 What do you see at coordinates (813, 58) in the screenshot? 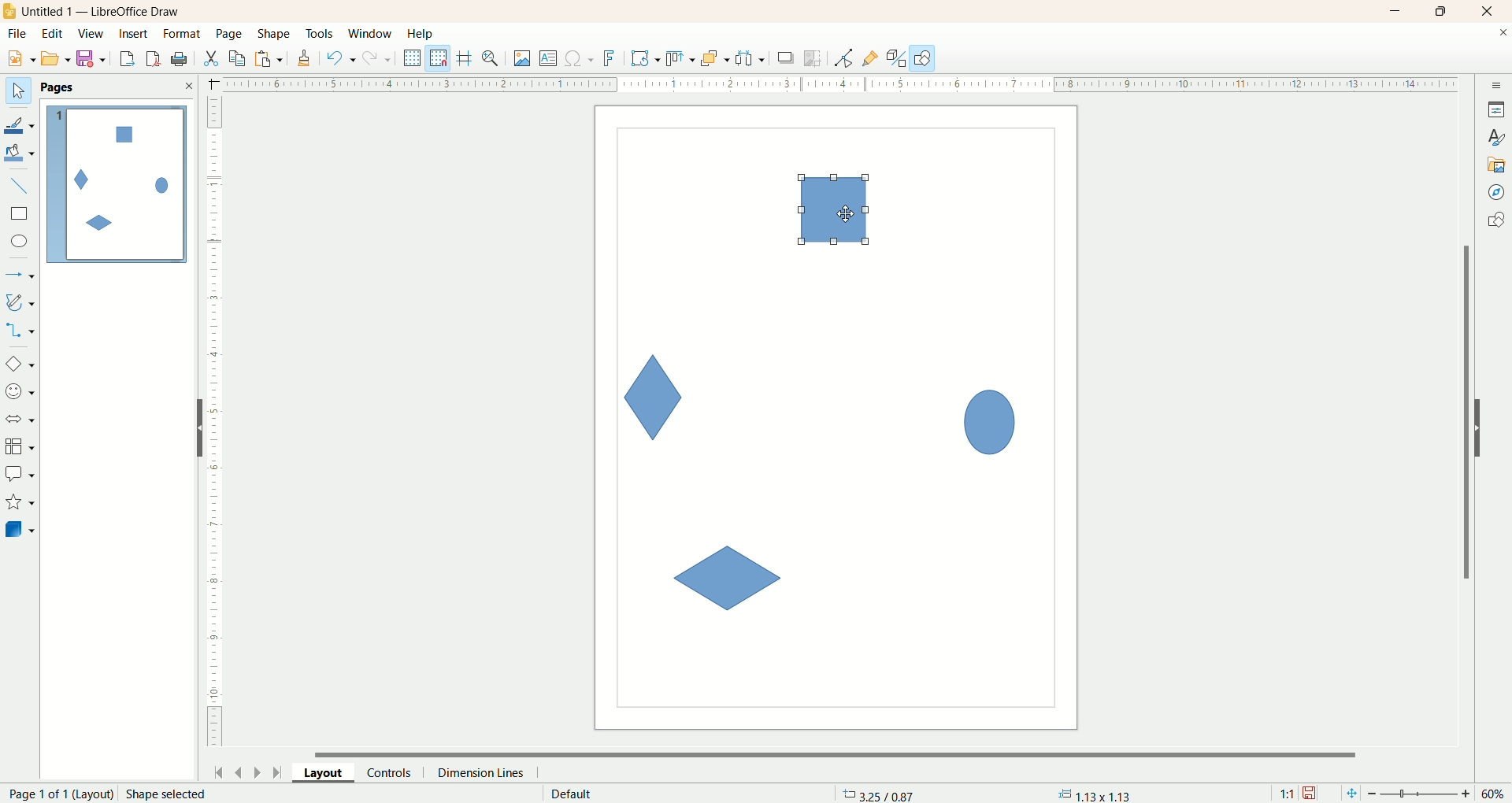
I see `crop image` at bounding box center [813, 58].